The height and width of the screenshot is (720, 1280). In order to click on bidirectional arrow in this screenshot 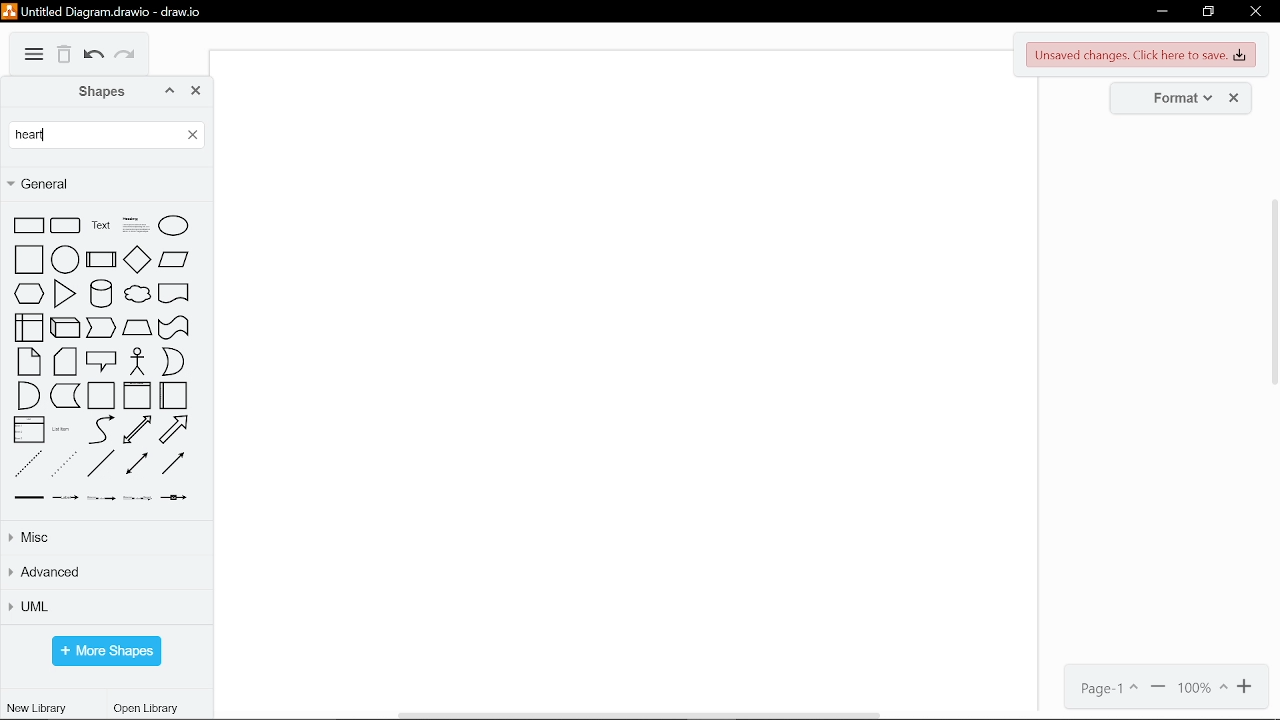, I will do `click(138, 430)`.